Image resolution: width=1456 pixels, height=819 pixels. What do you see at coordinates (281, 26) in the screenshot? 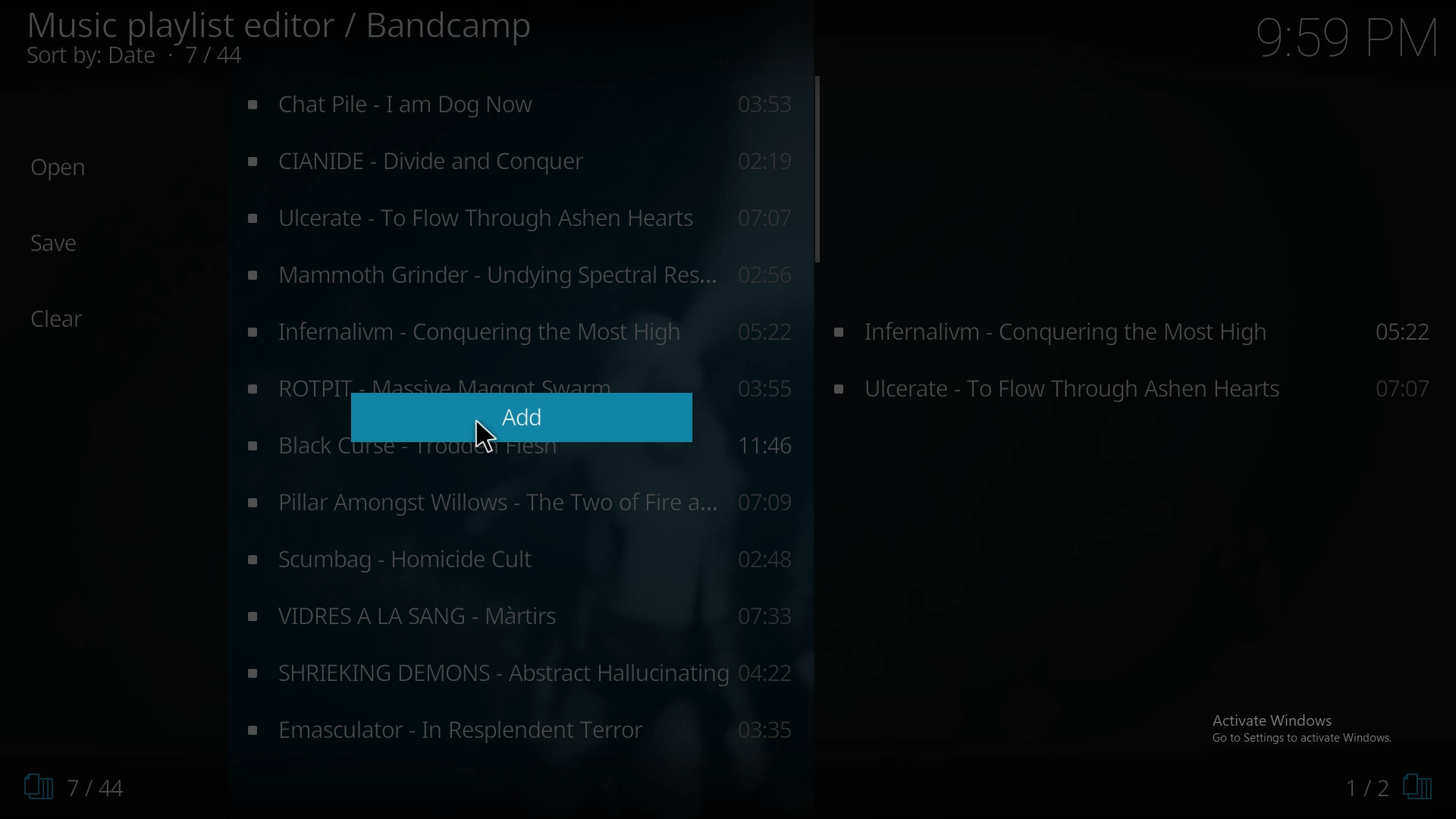
I see `Music playlist editor / Bandcamp` at bounding box center [281, 26].